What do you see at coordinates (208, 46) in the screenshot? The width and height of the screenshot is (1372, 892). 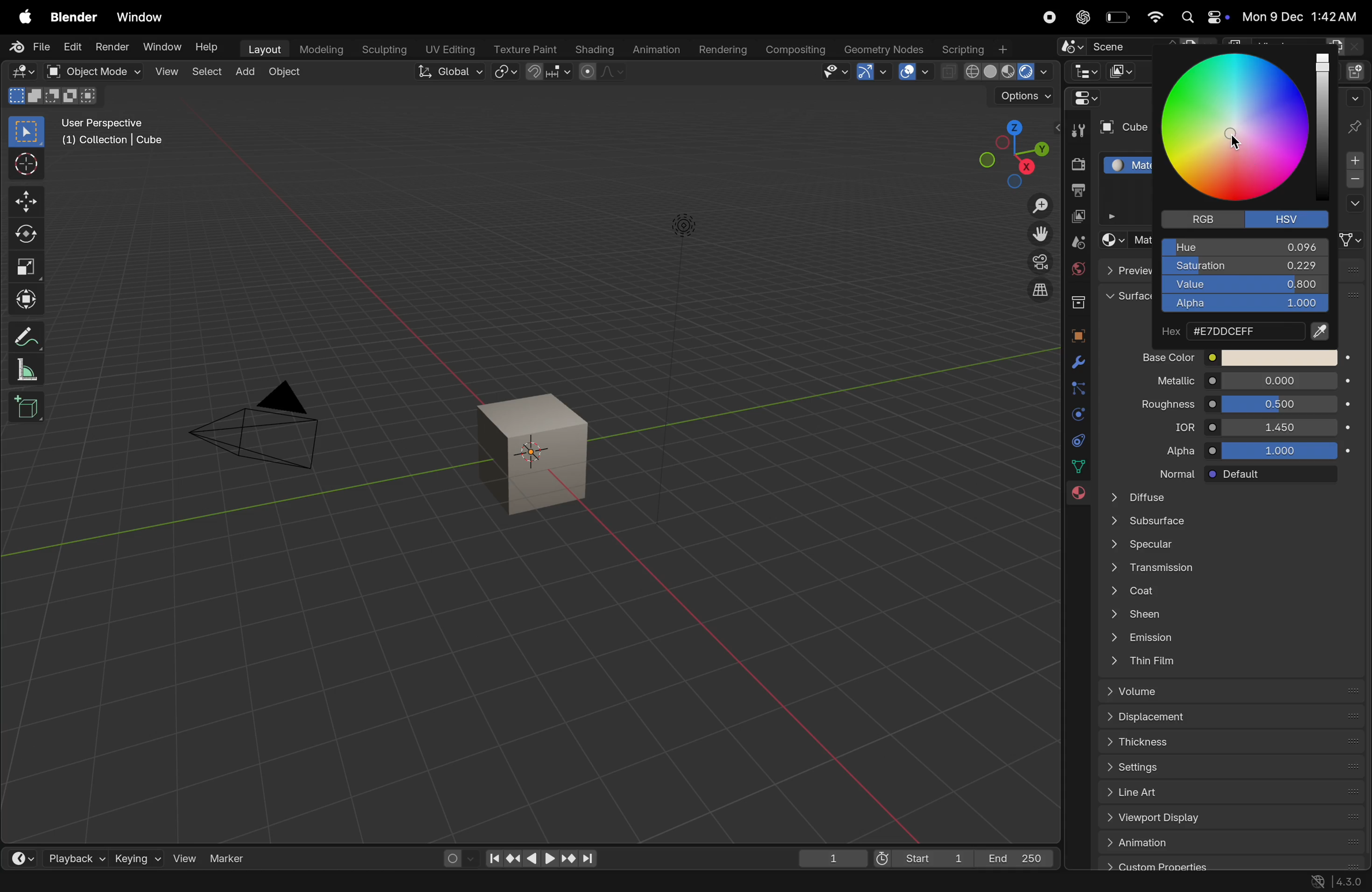 I see `Help` at bounding box center [208, 46].